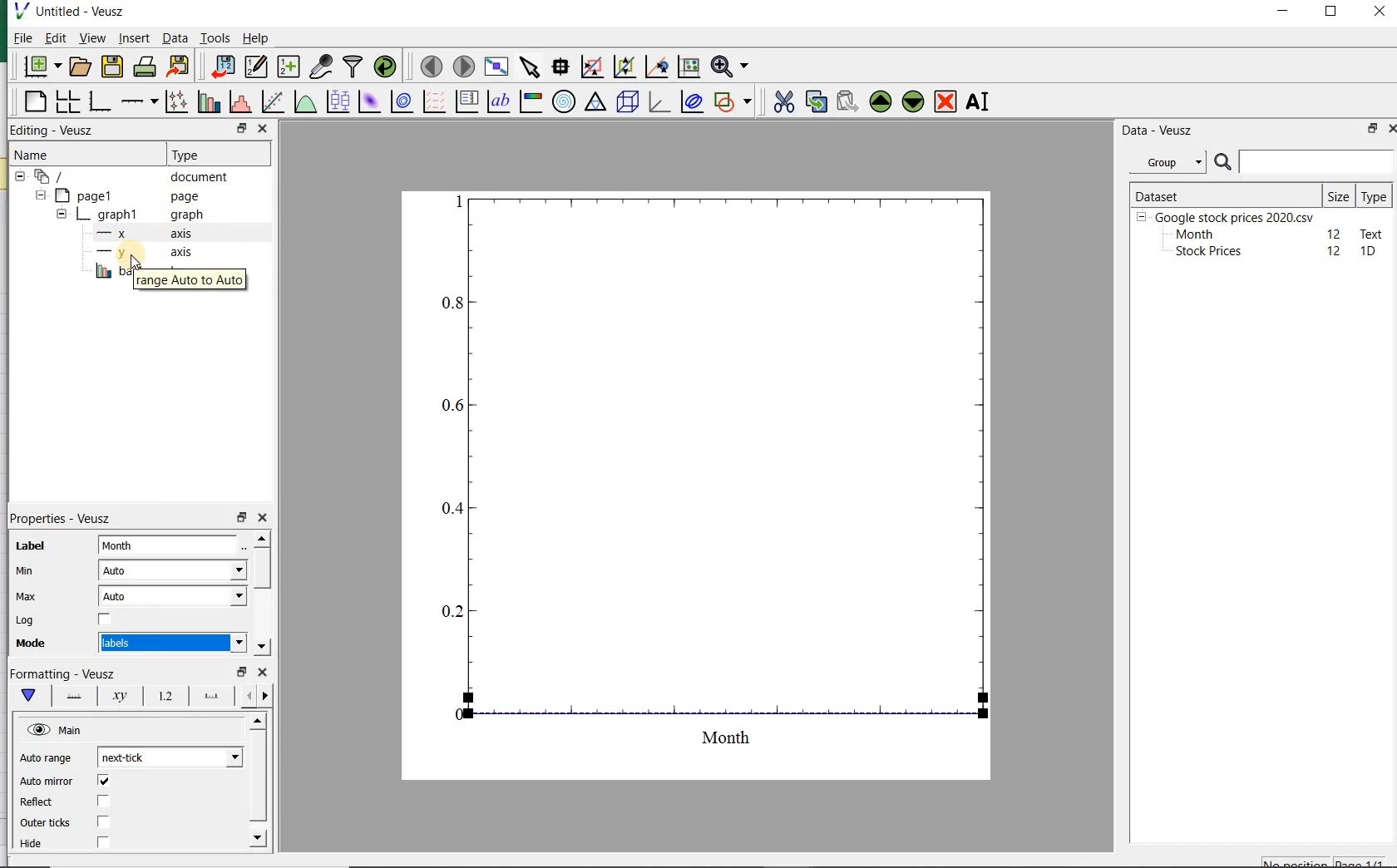 This screenshot has width=1397, height=868. What do you see at coordinates (913, 101) in the screenshot?
I see `move the selected widget down` at bounding box center [913, 101].